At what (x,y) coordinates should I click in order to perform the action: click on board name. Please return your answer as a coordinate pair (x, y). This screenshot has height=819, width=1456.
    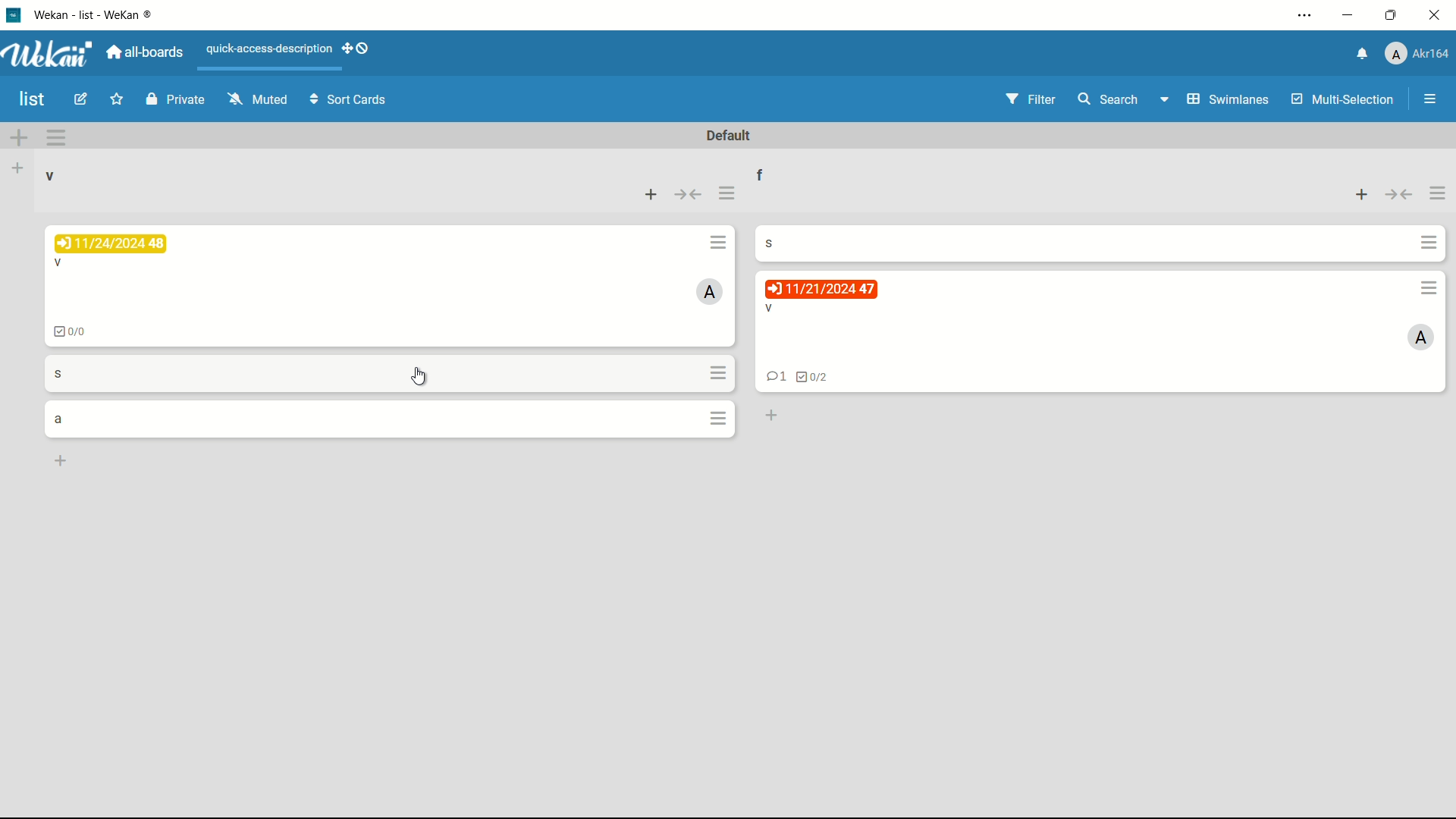
    Looking at the image, I should click on (33, 100).